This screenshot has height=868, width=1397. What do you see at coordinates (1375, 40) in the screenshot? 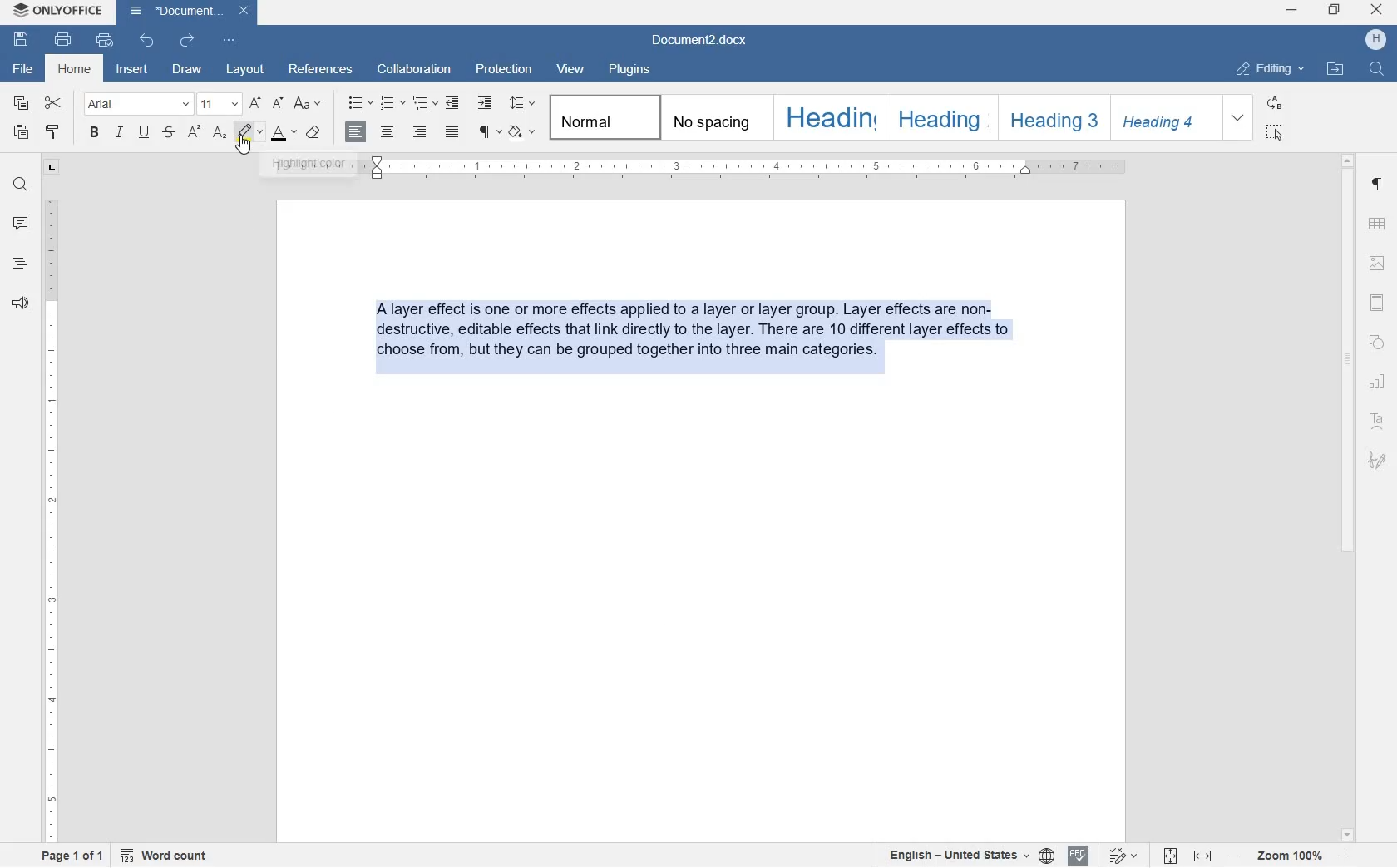
I see `HP` at bounding box center [1375, 40].